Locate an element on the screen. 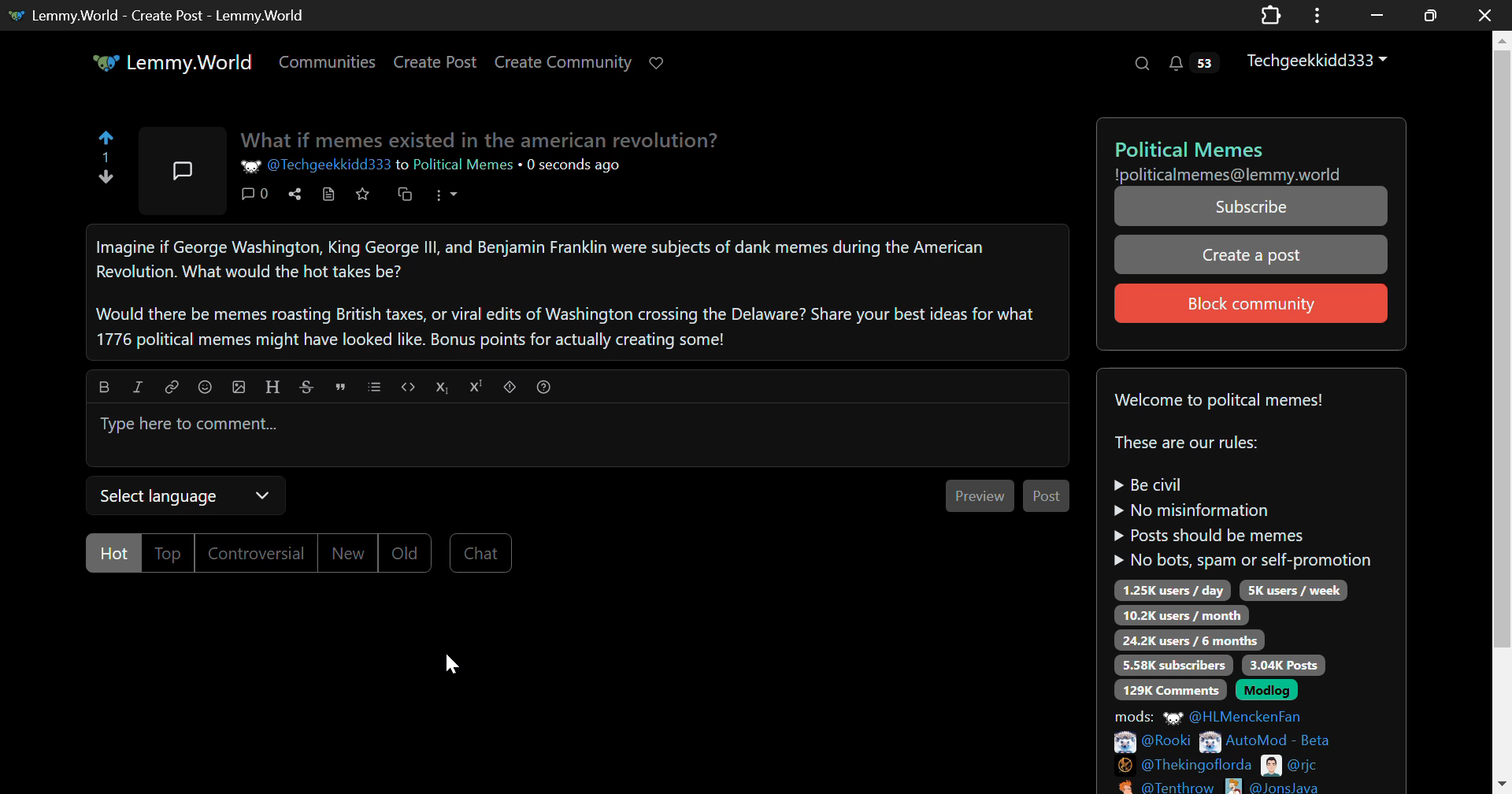 This screenshot has width=1512, height=794. Select Language is located at coordinates (183, 493).